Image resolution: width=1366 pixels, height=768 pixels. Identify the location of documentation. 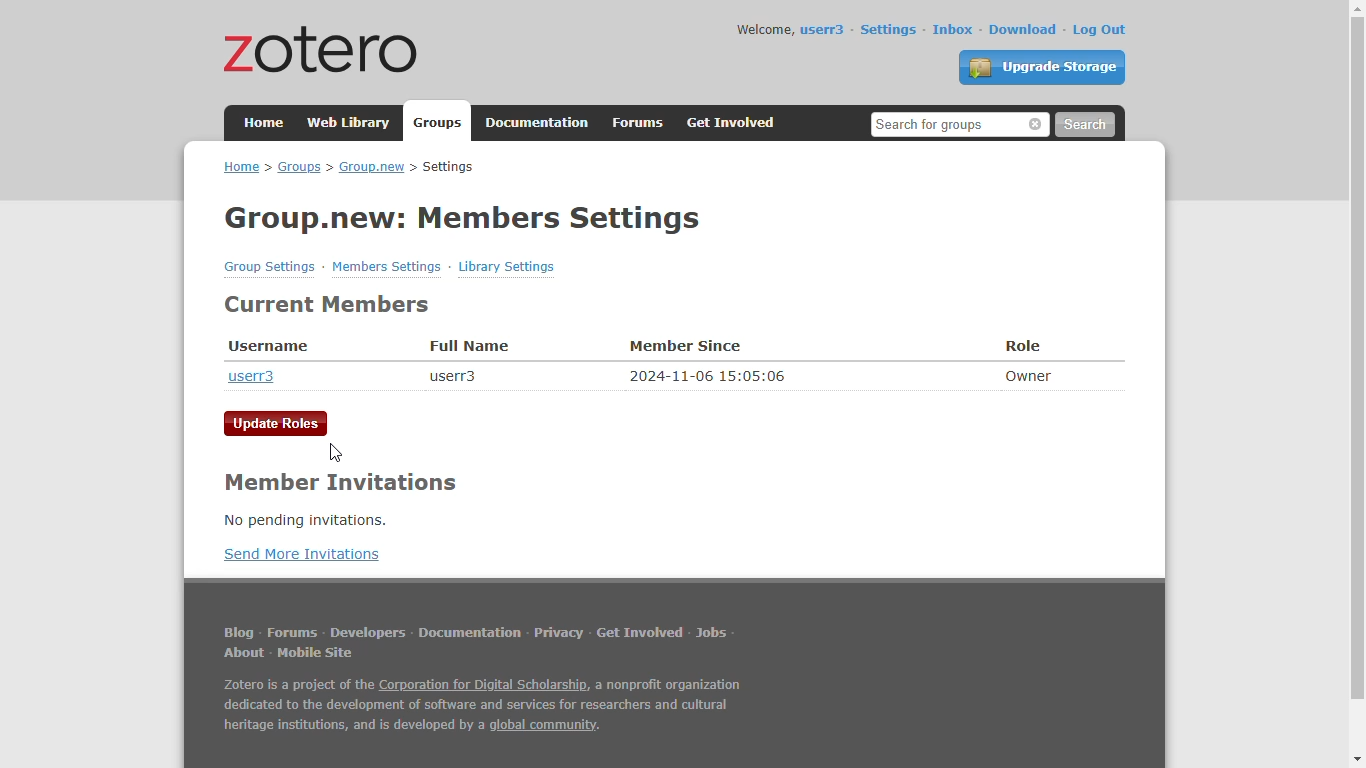
(471, 633).